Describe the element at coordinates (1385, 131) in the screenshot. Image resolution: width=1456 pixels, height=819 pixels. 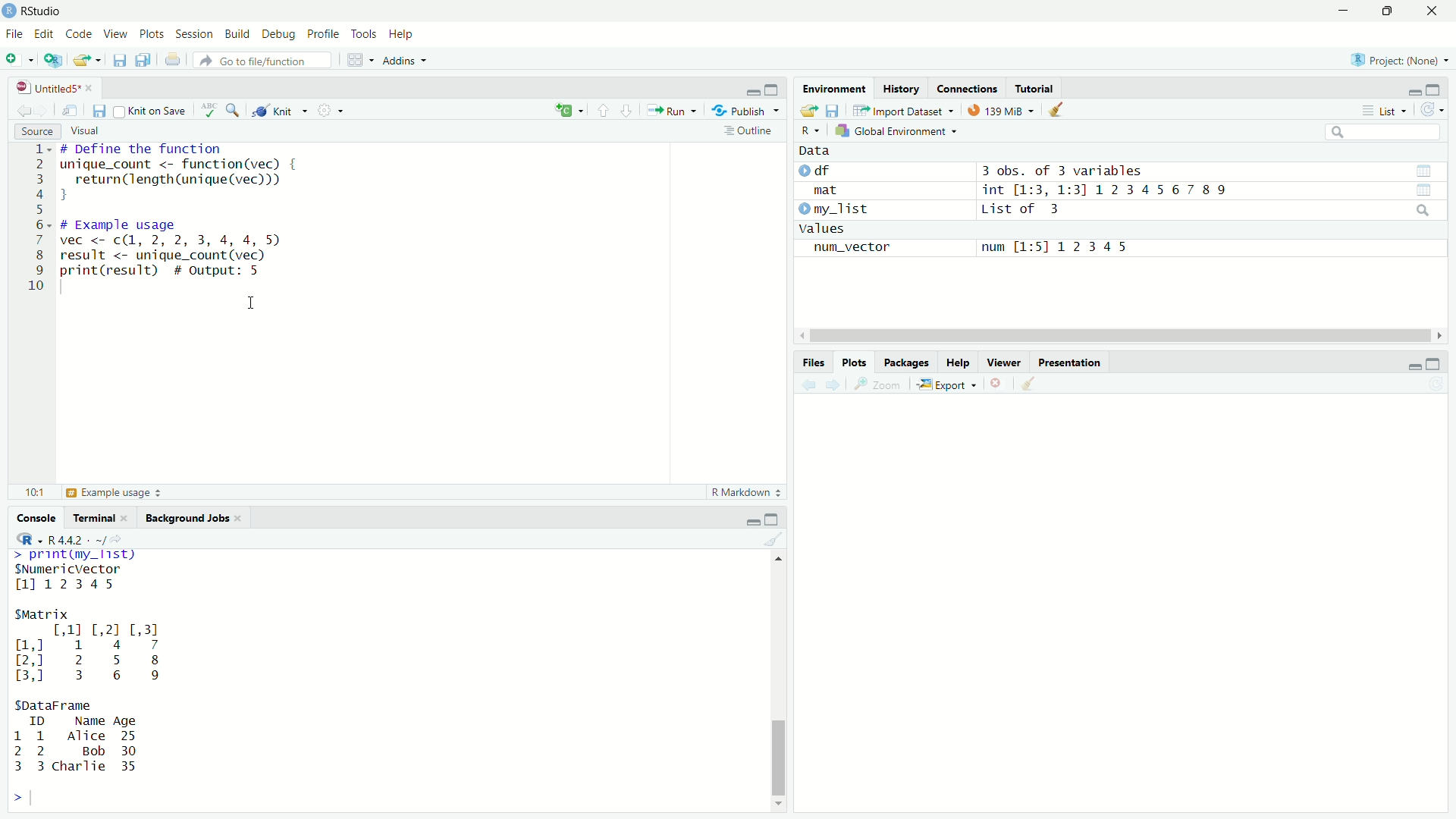
I see `search bar` at that location.